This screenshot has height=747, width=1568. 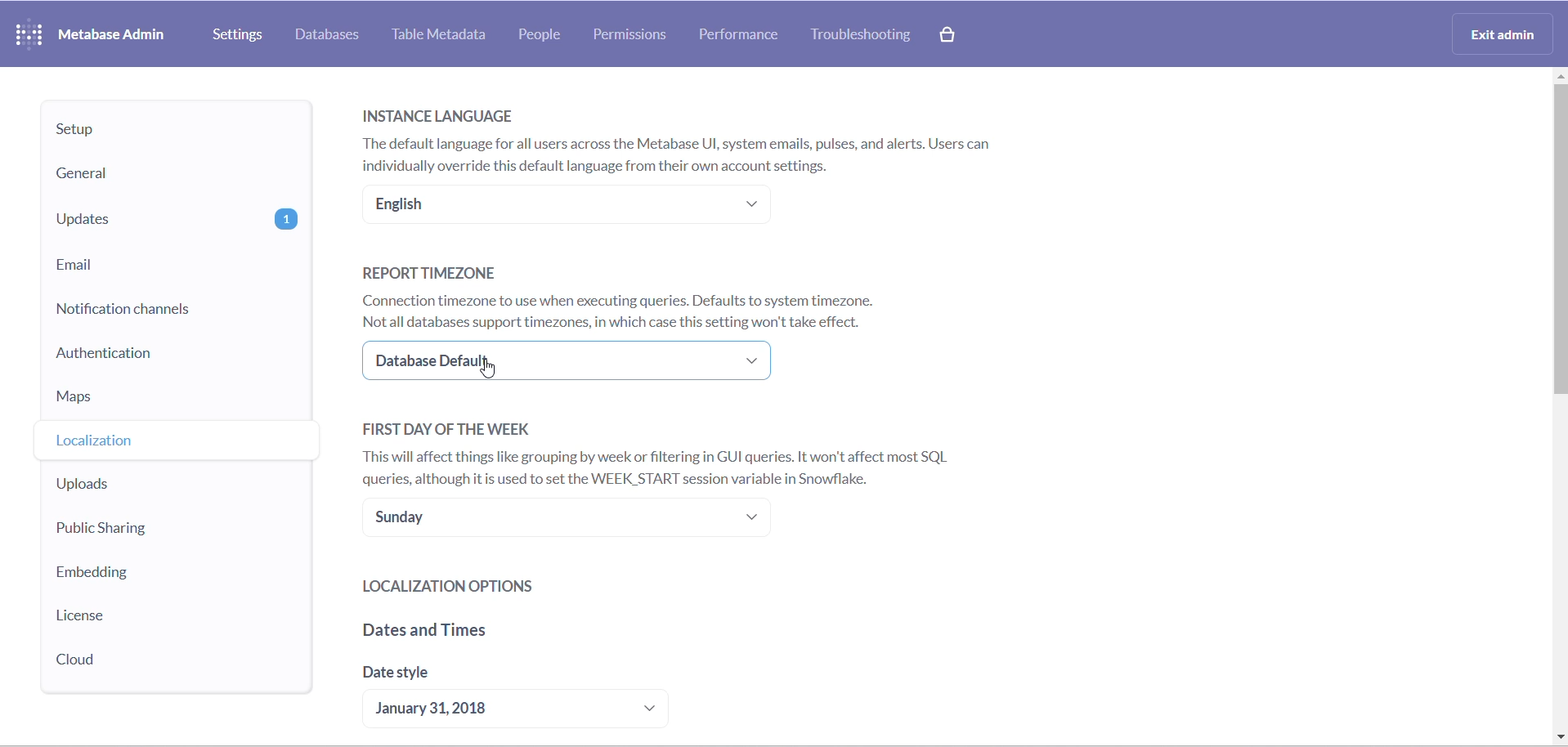 What do you see at coordinates (181, 359) in the screenshot?
I see `AUTHENTICATION` at bounding box center [181, 359].